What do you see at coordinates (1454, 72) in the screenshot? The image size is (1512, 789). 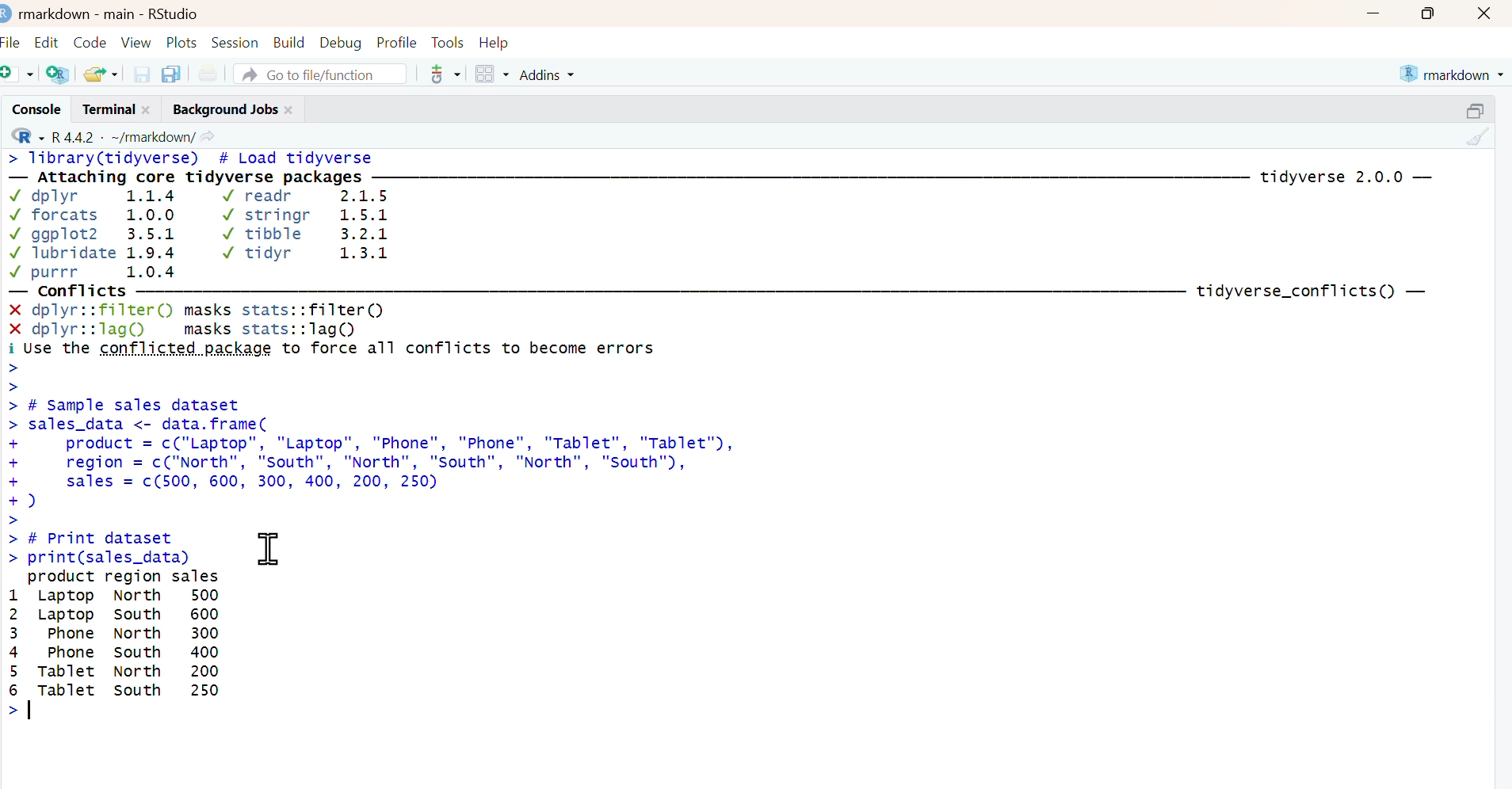 I see `markdown` at bounding box center [1454, 72].